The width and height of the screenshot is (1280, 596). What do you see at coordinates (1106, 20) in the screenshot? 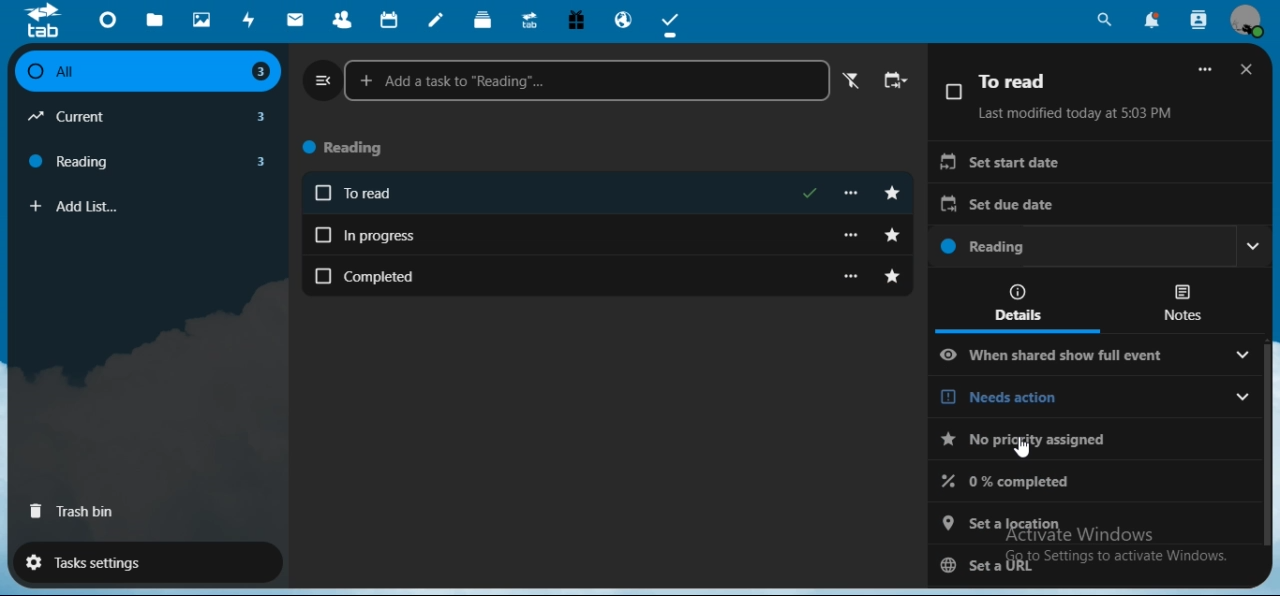
I see `search` at bounding box center [1106, 20].